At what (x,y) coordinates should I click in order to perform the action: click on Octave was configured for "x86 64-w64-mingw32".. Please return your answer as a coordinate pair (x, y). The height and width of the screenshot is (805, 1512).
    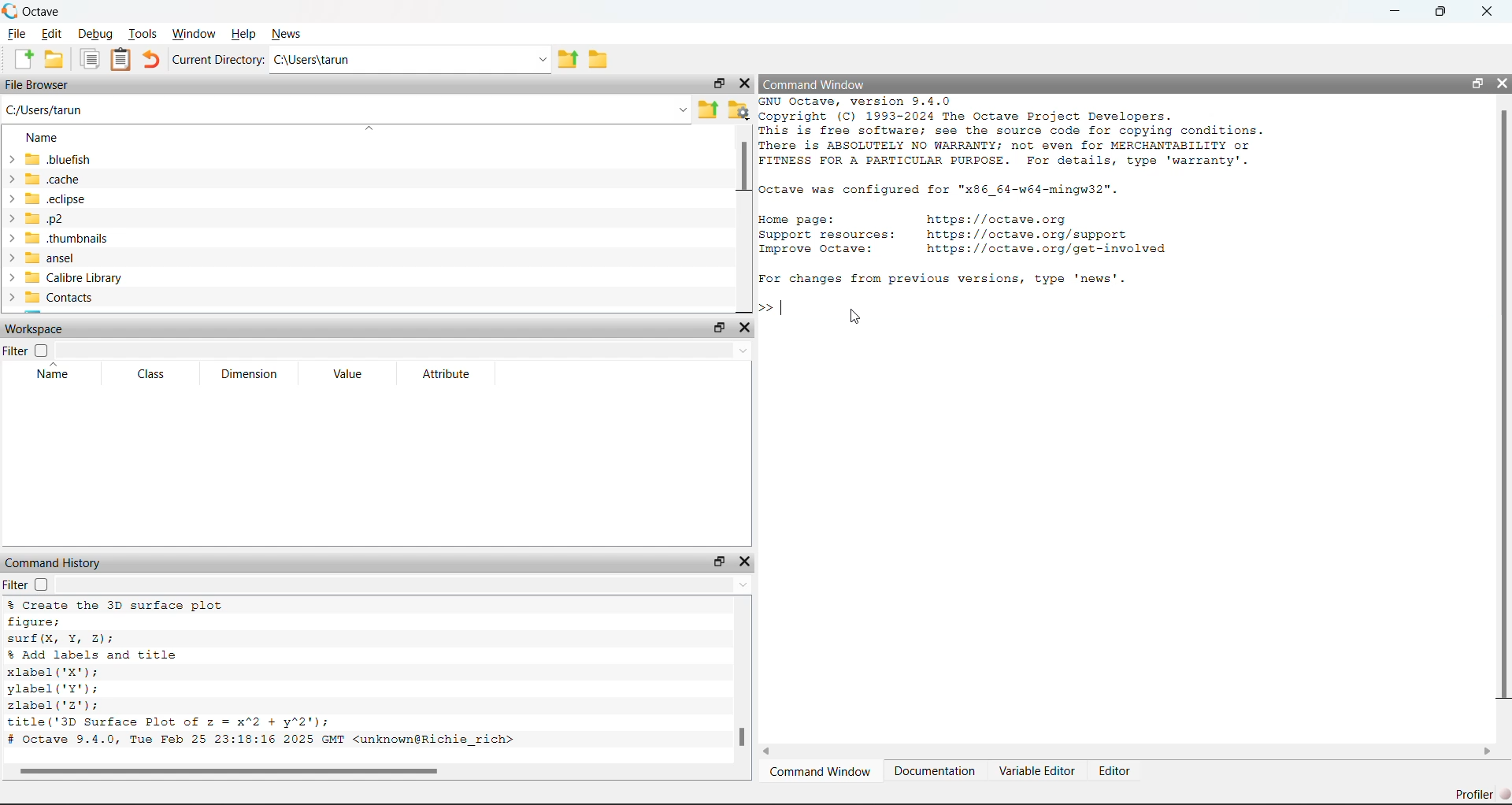
    Looking at the image, I should click on (943, 188).